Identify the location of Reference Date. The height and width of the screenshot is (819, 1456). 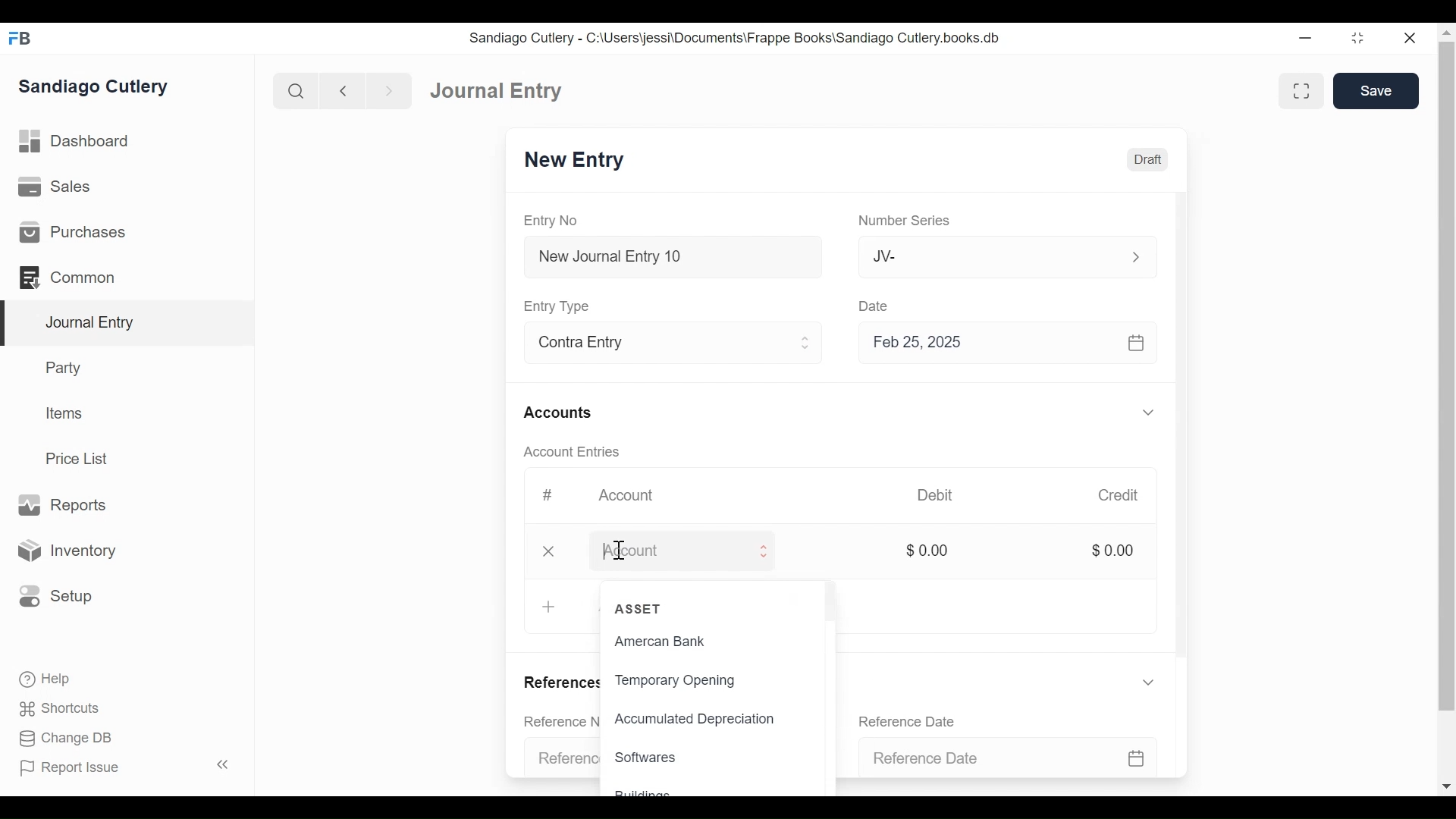
(1006, 754).